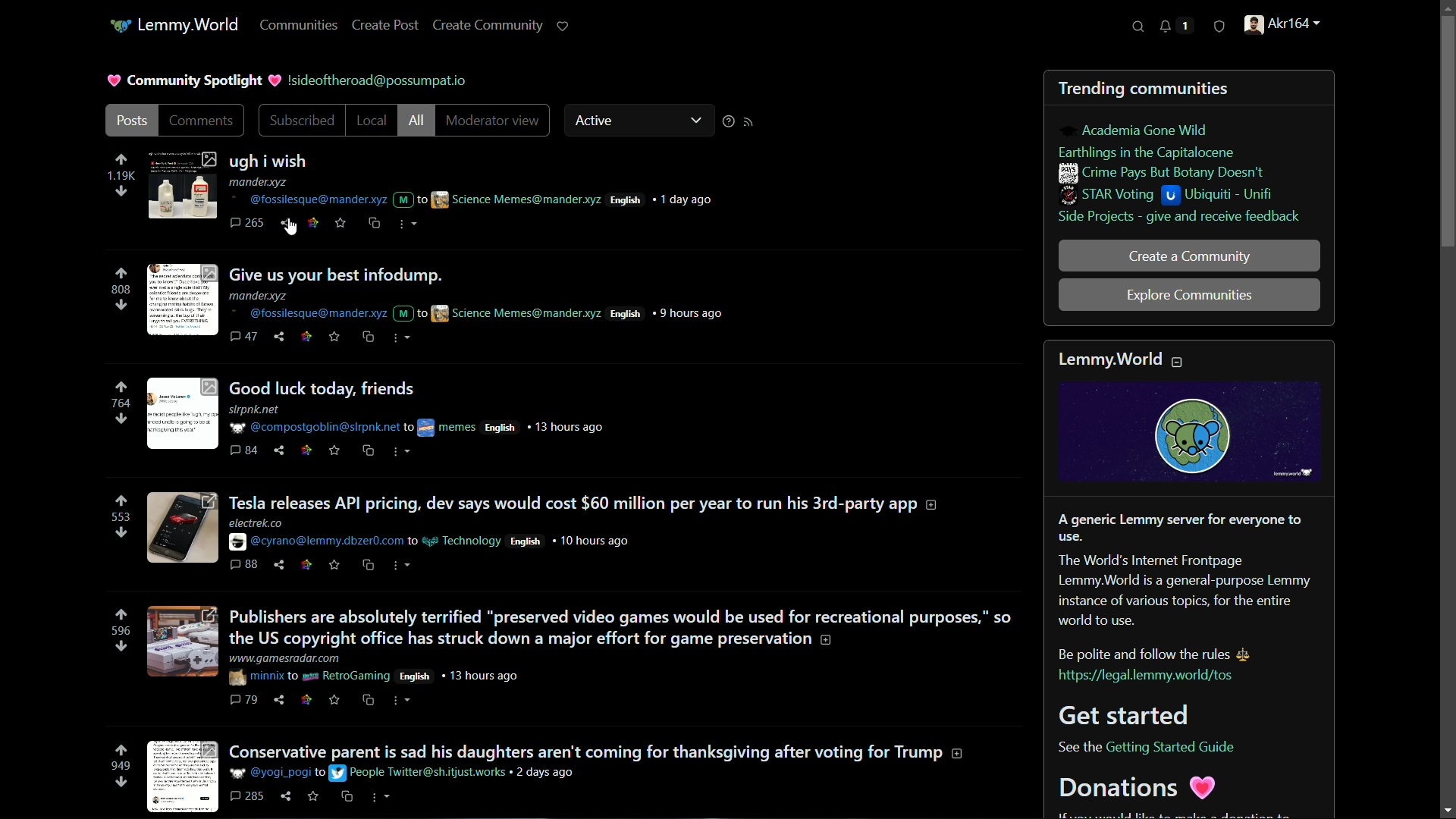 The height and width of the screenshot is (819, 1456). I want to click on community spotlight, so click(193, 79).